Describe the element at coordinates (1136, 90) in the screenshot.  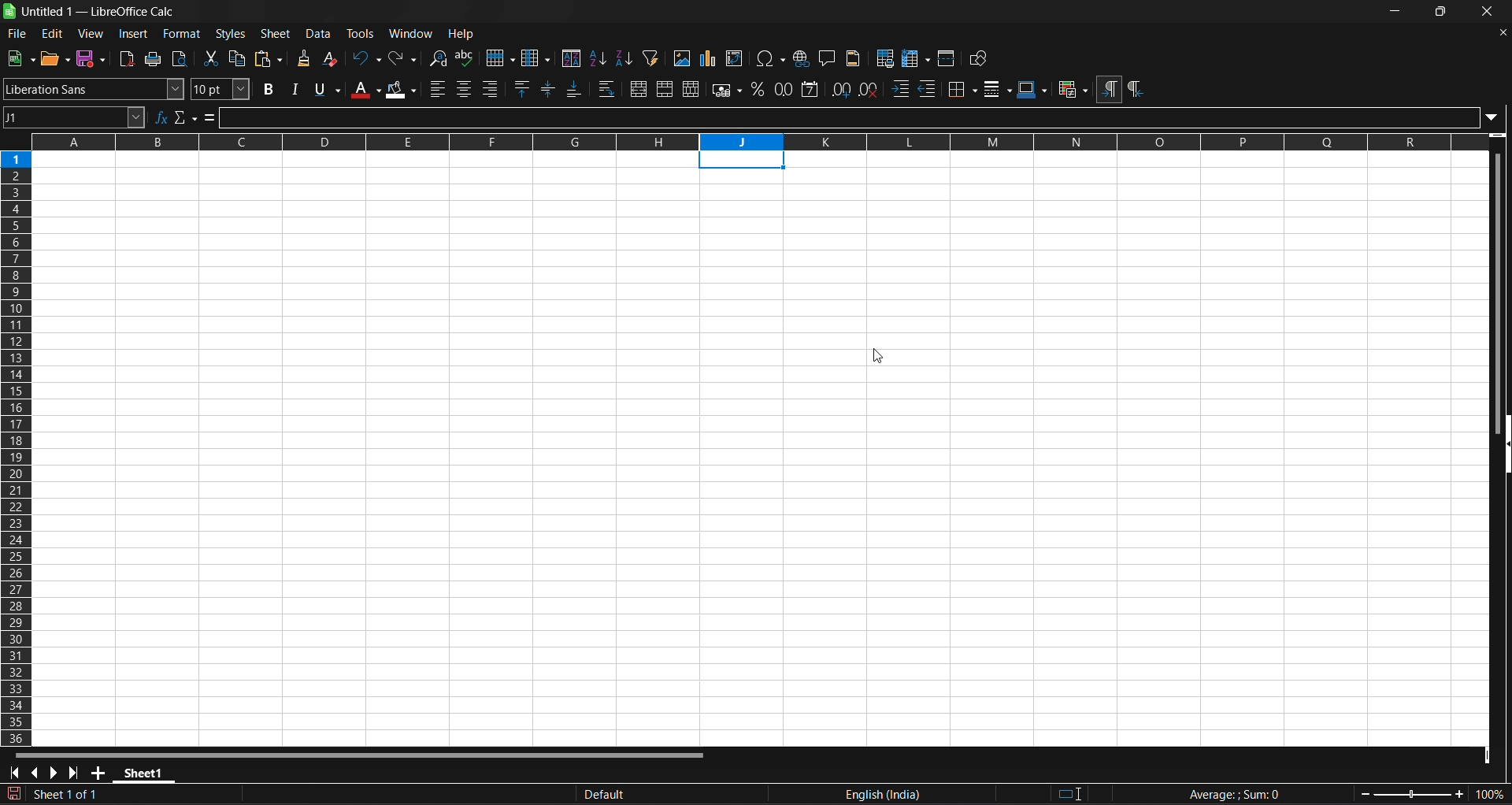
I see `right to left` at that location.